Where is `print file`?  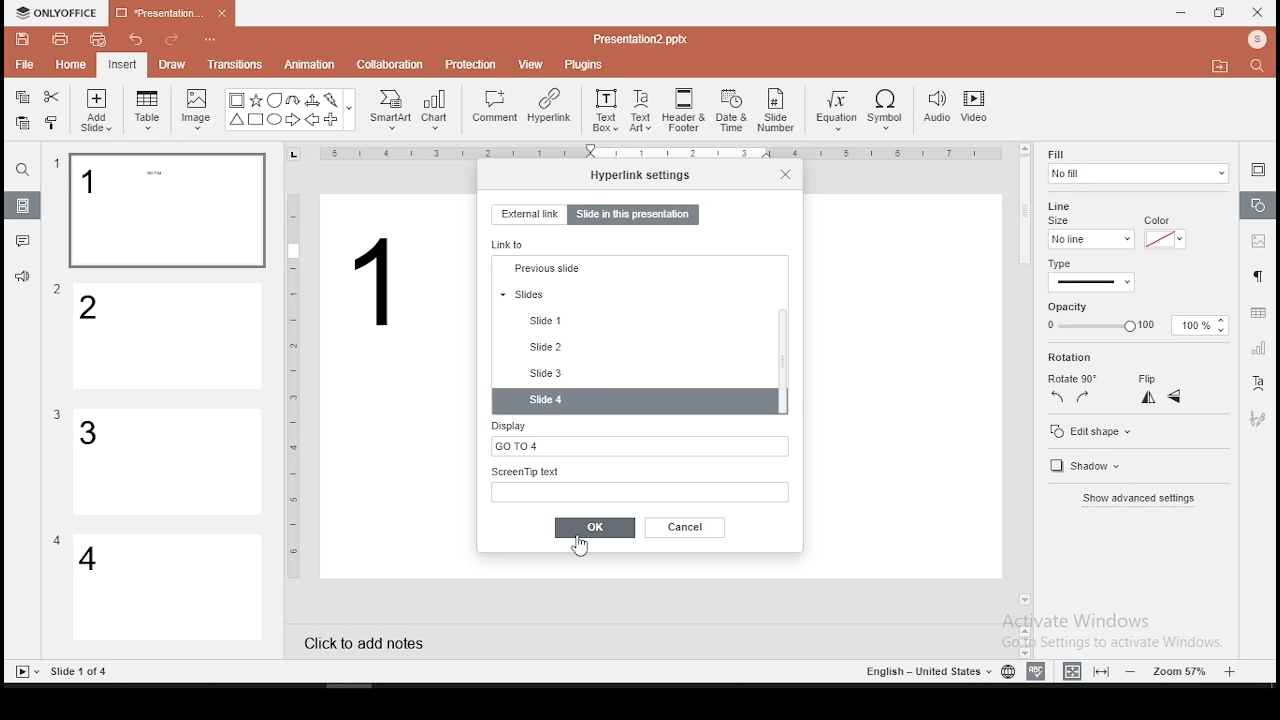
print file is located at coordinates (60, 37).